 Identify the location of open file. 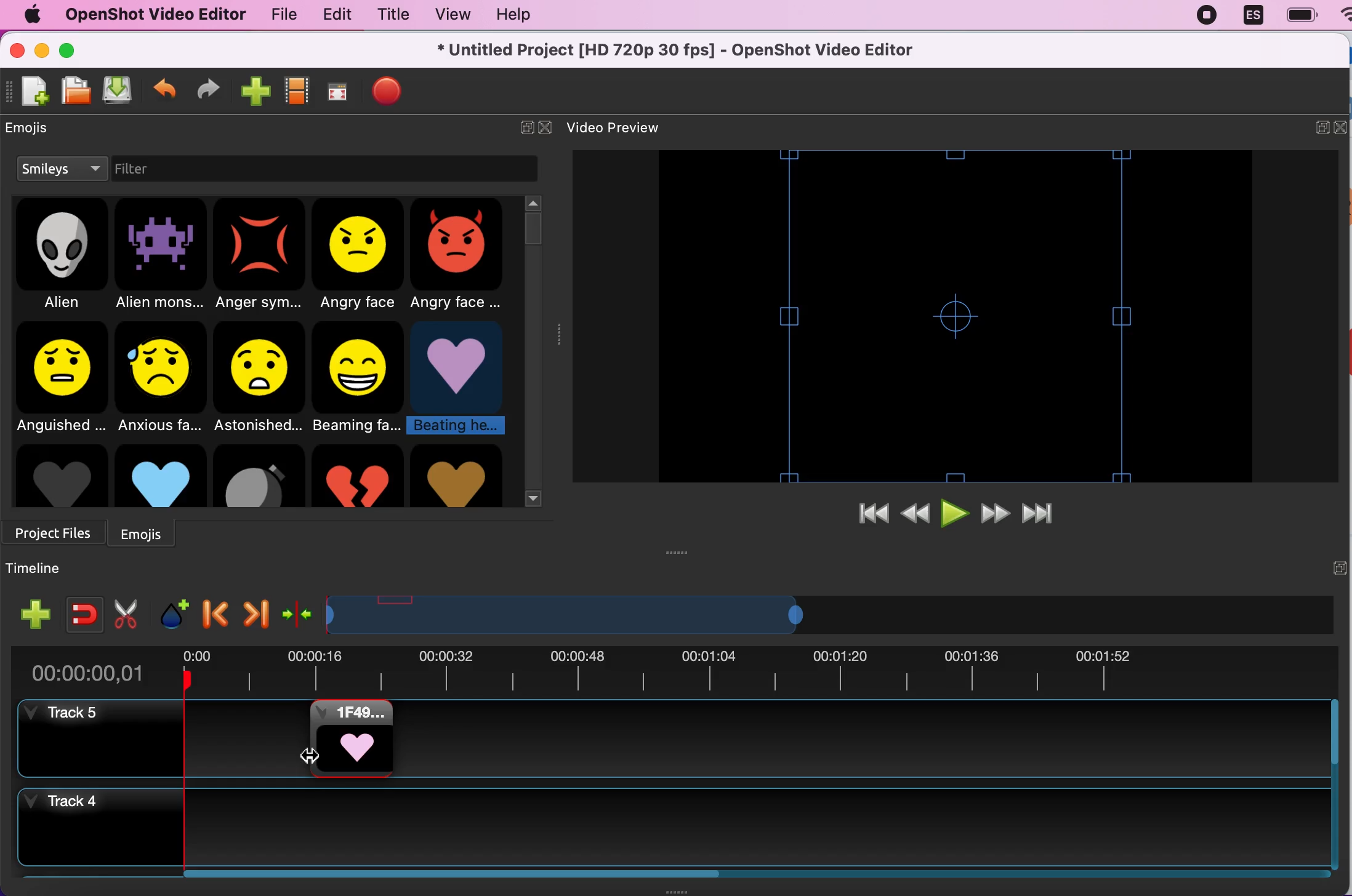
(72, 92).